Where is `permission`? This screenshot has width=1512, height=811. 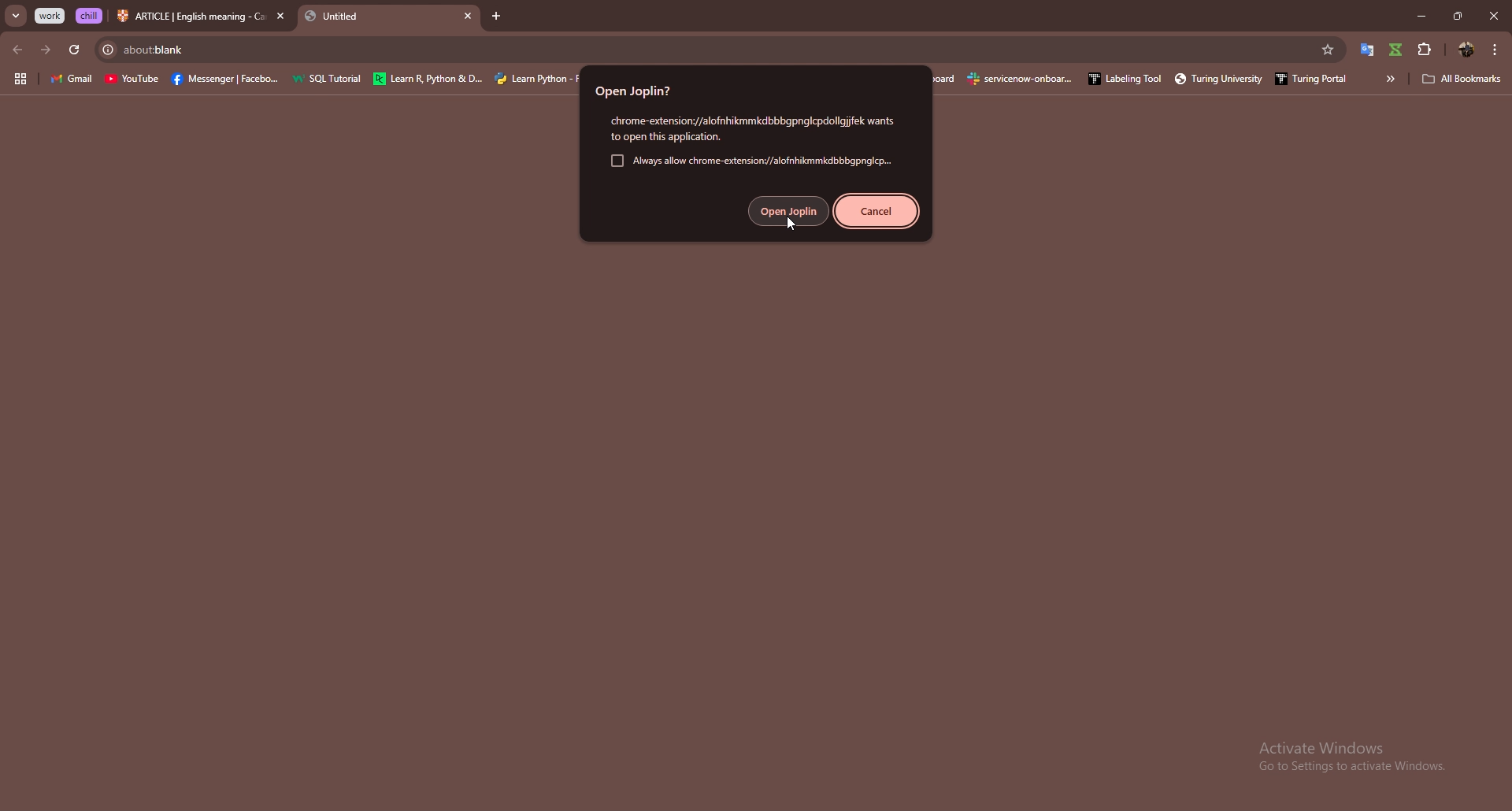
permission is located at coordinates (750, 128).